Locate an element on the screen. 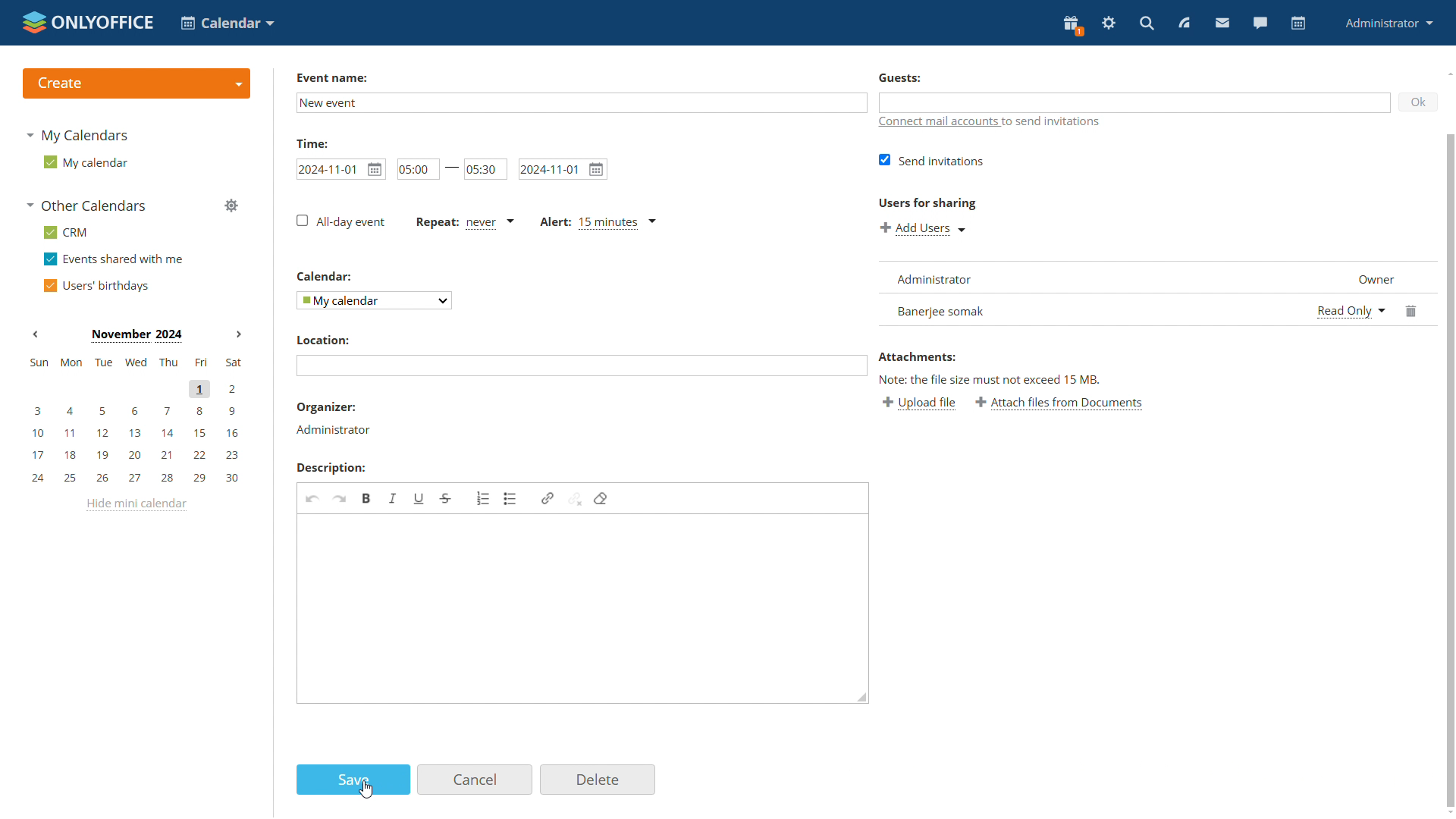 The image size is (1456, 819). Upload file is located at coordinates (921, 404).